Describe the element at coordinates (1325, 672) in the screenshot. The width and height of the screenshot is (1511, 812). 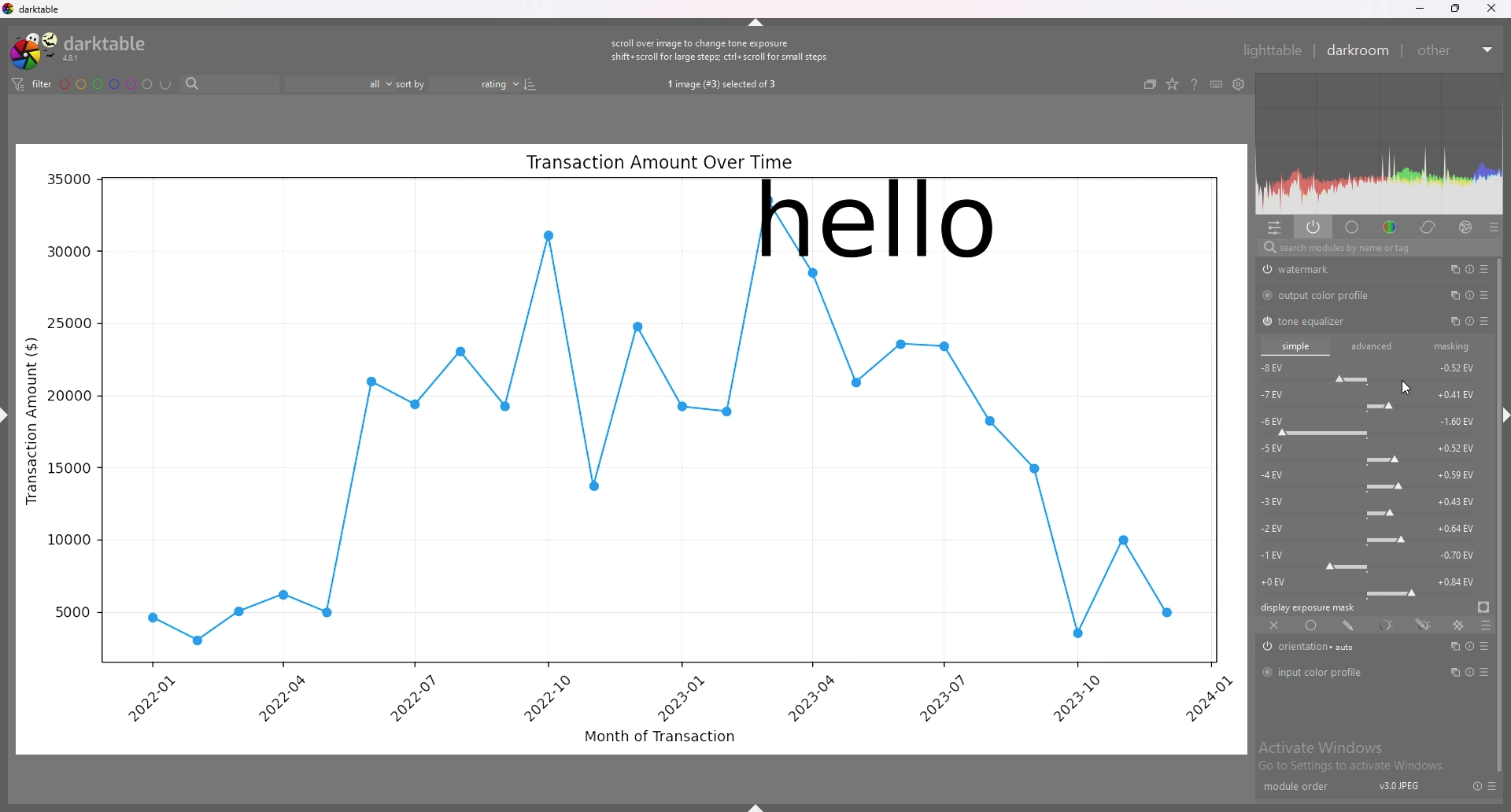
I see `input color profile` at that location.